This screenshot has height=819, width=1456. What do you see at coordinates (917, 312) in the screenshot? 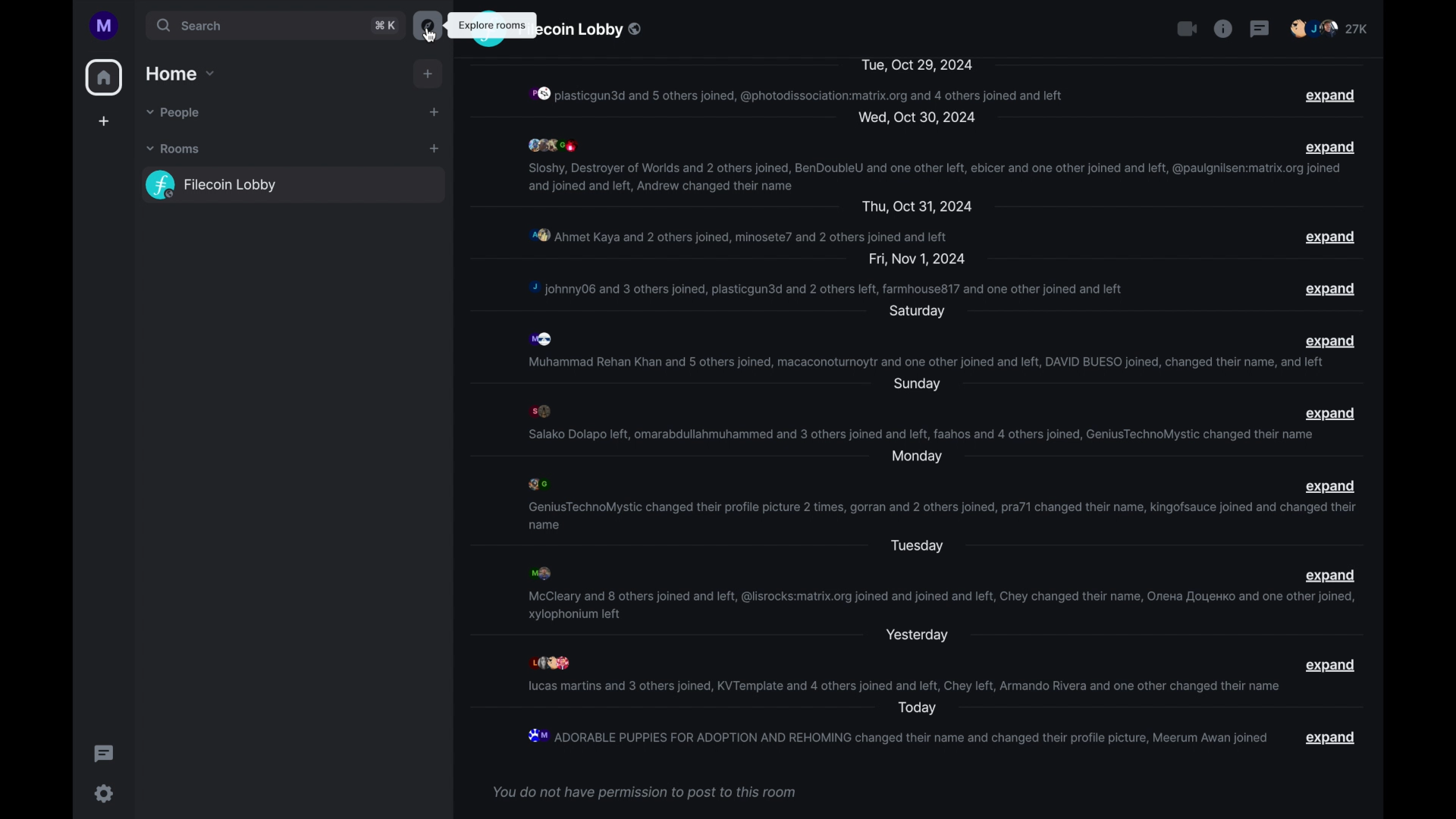
I see `Saturday` at bounding box center [917, 312].